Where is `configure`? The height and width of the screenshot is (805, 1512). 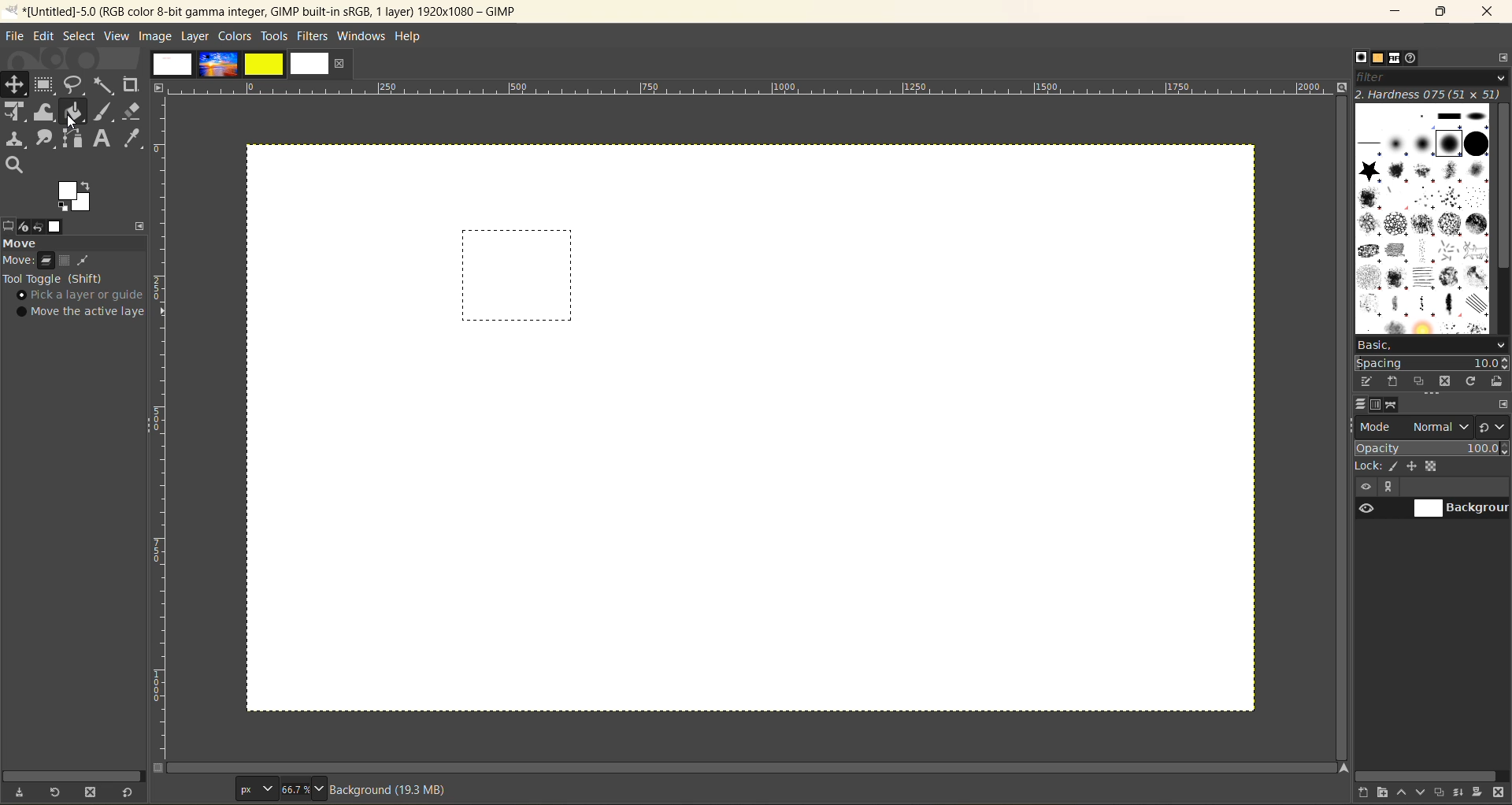
configure is located at coordinates (1502, 406).